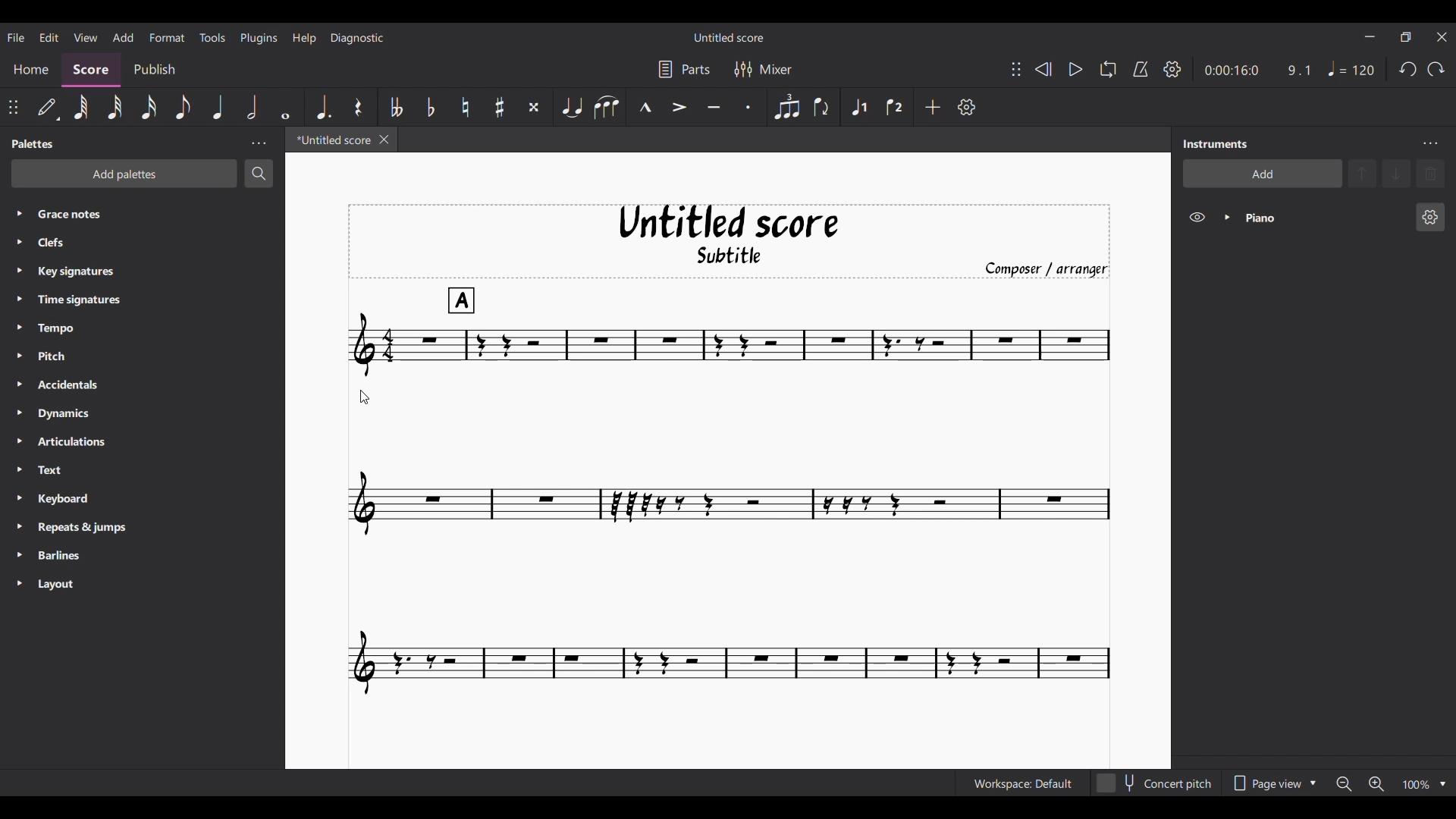  What do you see at coordinates (79, 585) in the screenshot?
I see `Layout` at bounding box center [79, 585].